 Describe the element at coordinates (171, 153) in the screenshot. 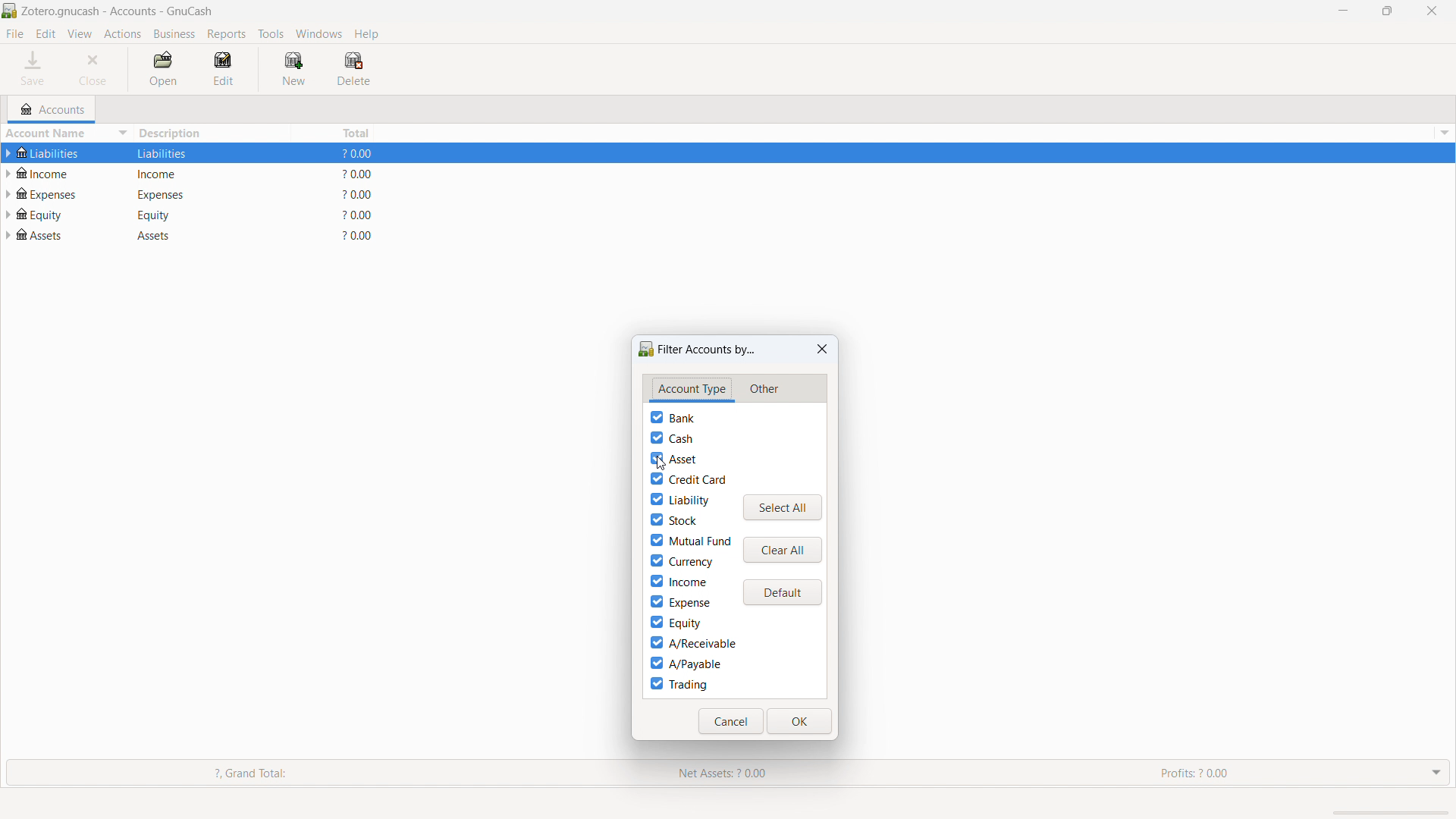

I see `Liabilities` at that location.